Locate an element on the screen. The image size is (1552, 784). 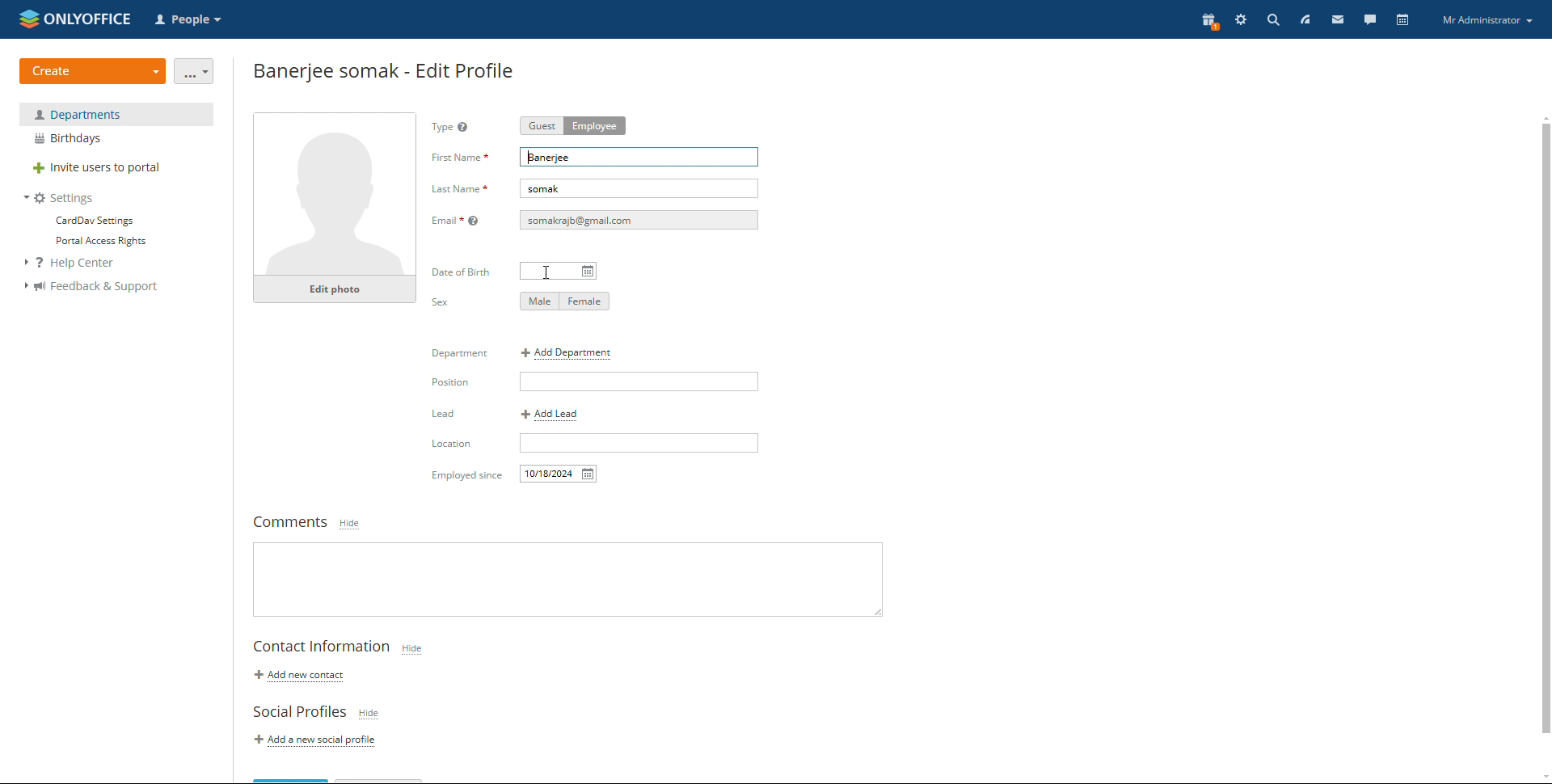
female is located at coordinates (585, 302).